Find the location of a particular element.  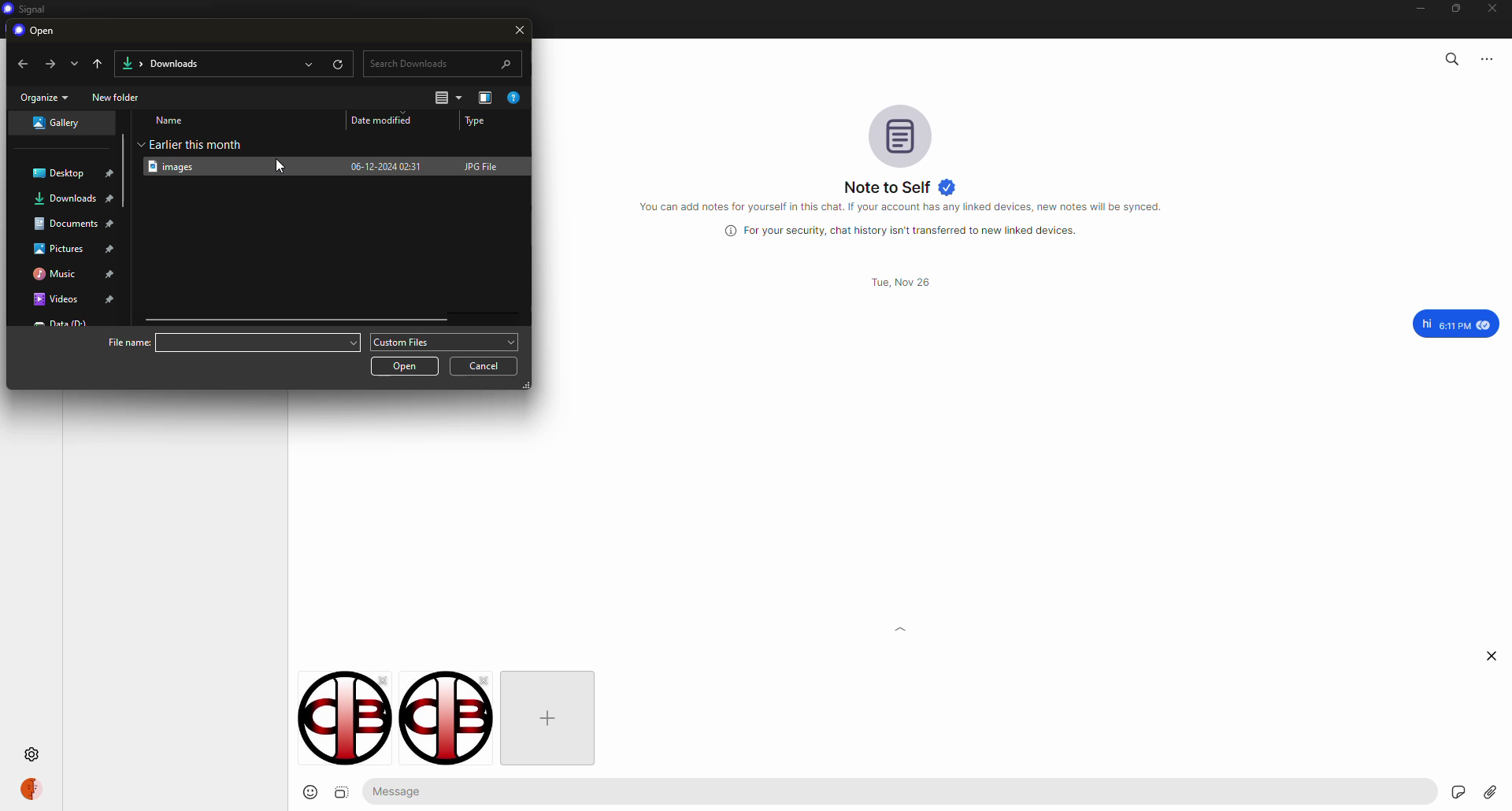

cancel is located at coordinates (488, 365).